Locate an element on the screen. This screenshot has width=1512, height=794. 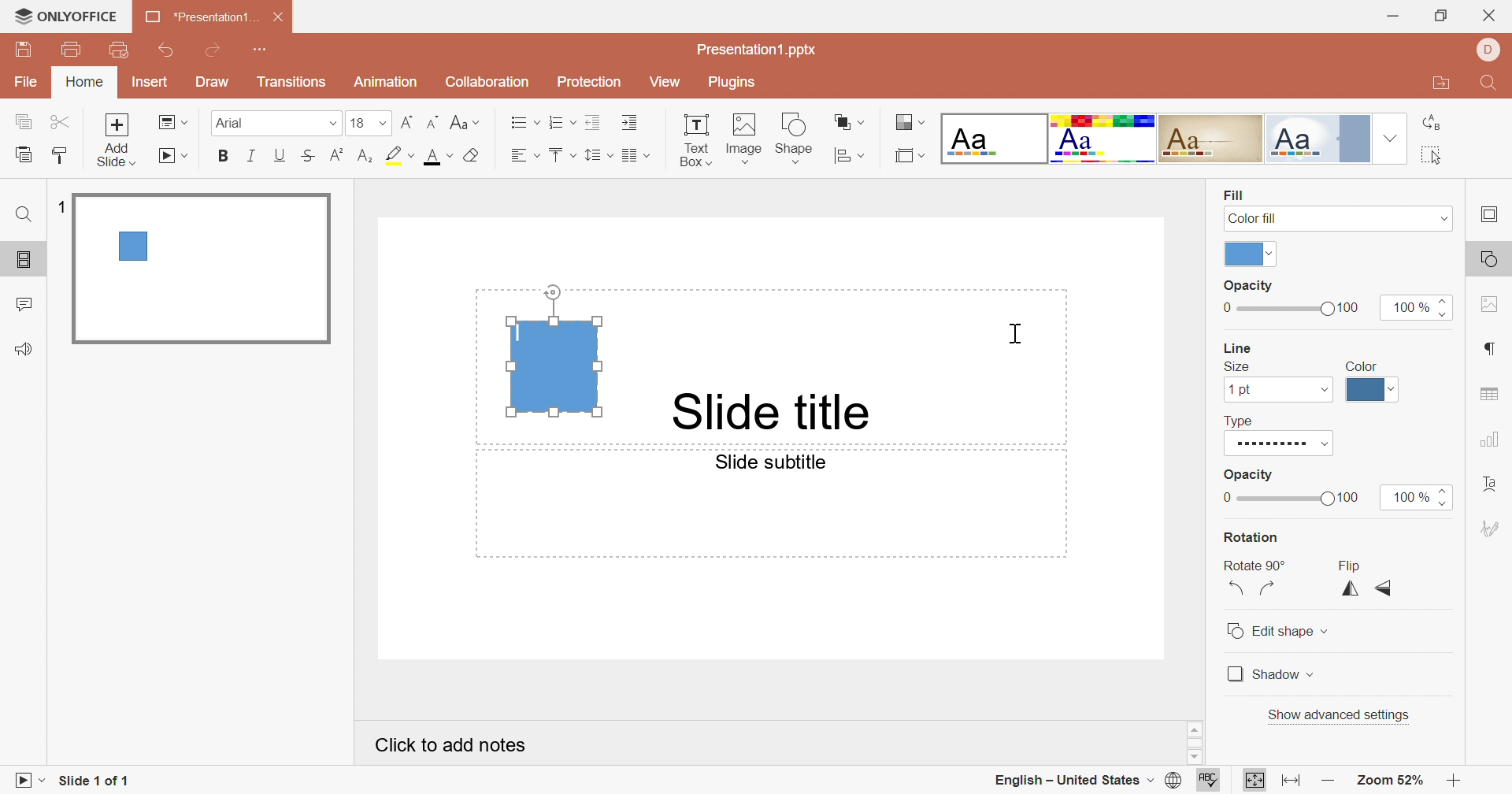
Shape settings is located at coordinates (1488, 259).